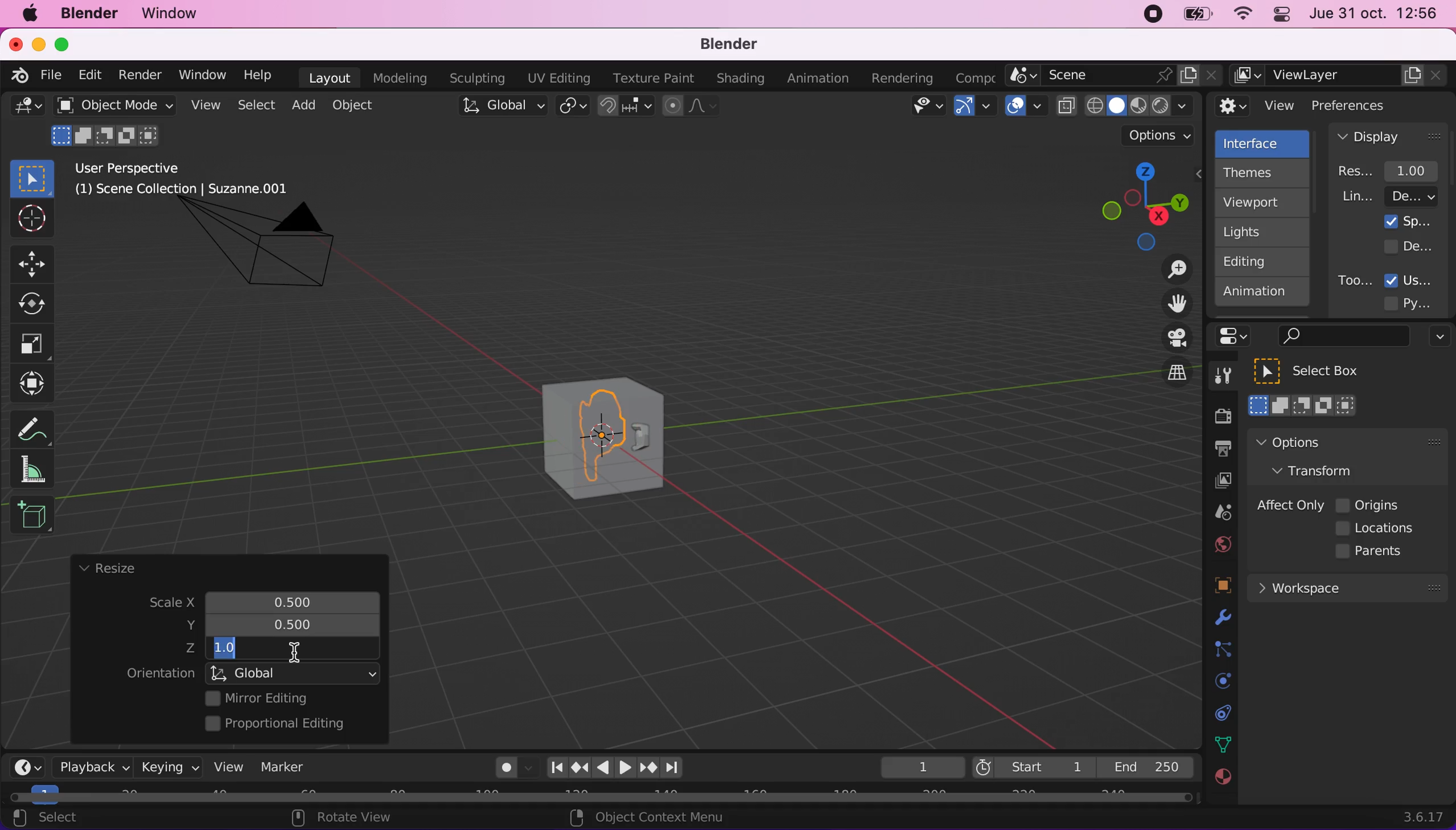 The image size is (1456, 830). I want to click on workspace, so click(1347, 587).